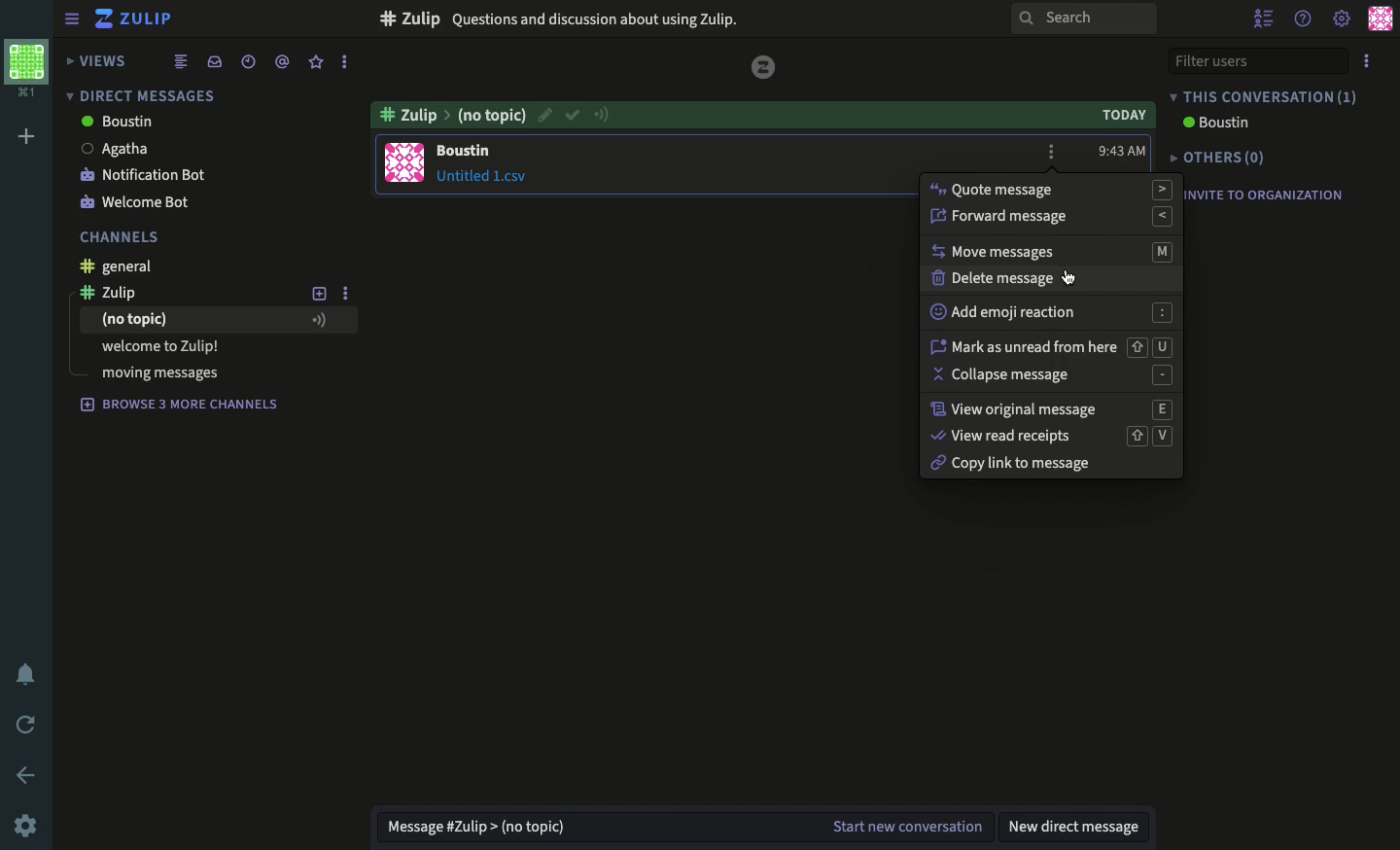 This screenshot has width=1400, height=850. What do you see at coordinates (1076, 822) in the screenshot?
I see `new direct message ` at bounding box center [1076, 822].